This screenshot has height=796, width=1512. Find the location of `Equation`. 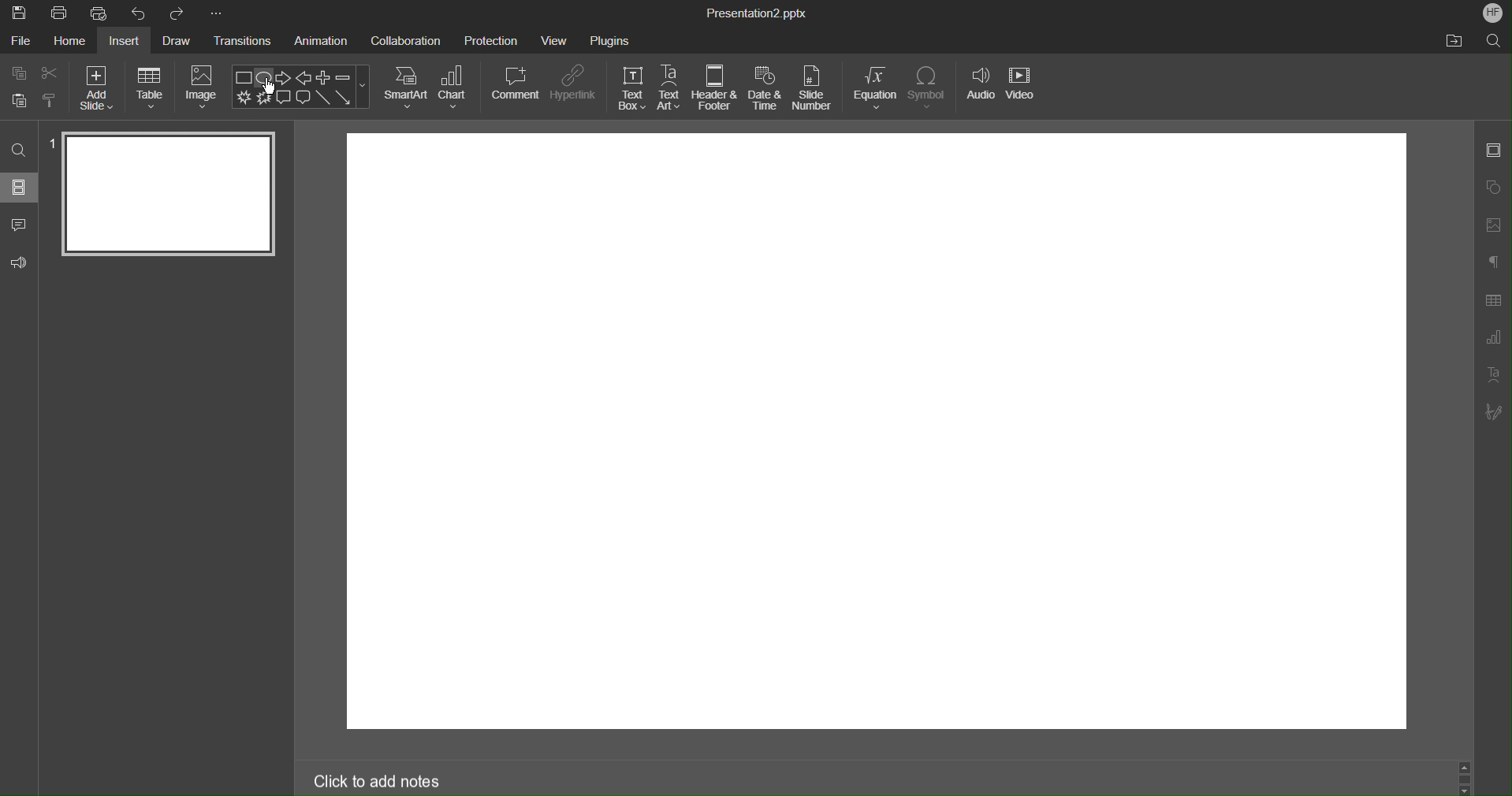

Equation is located at coordinates (875, 88).